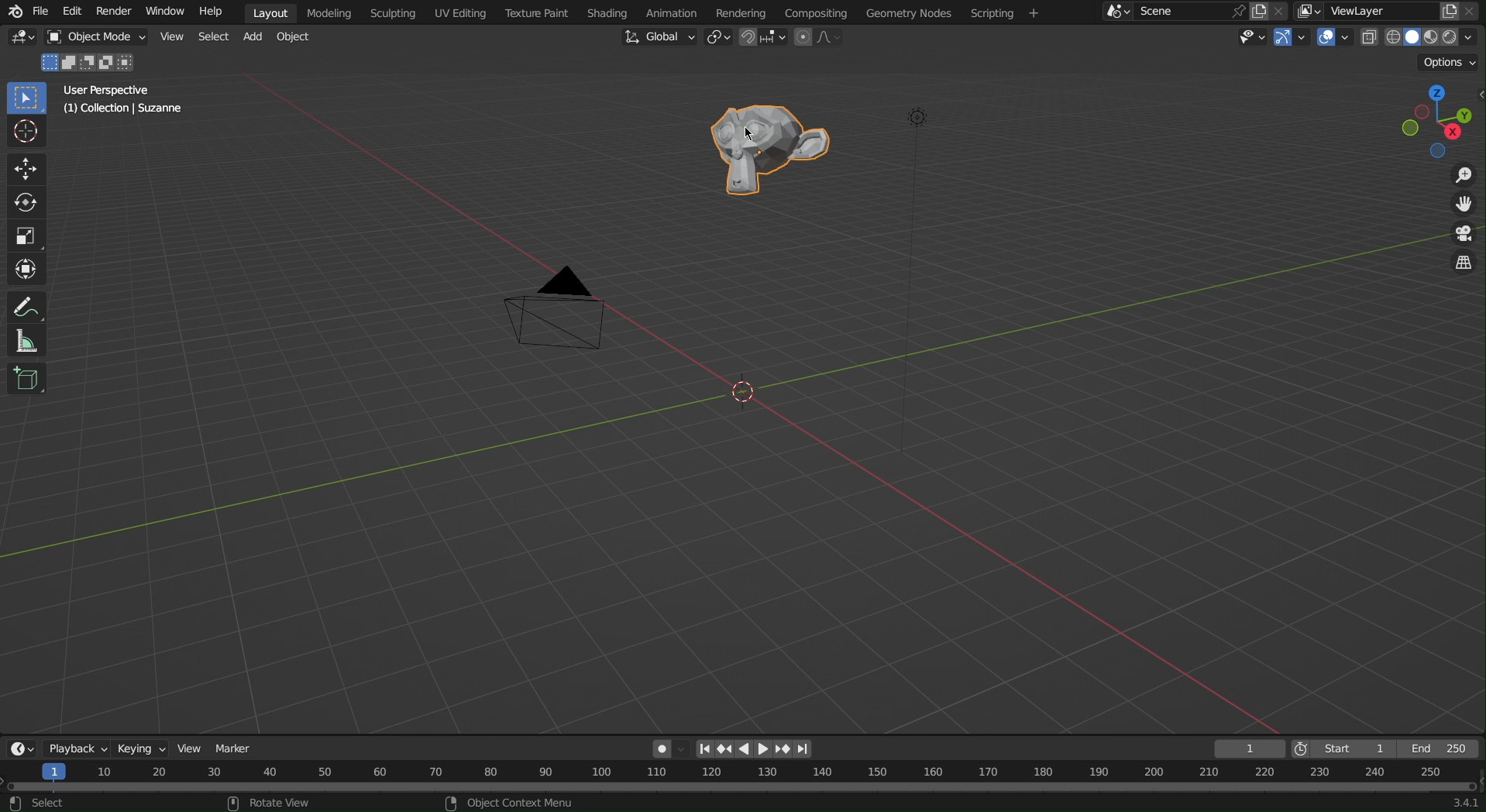 This screenshot has width=1486, height=812. Describe the element at coordinates (327, 12) in the screenshot. I see `Modeling` at that location.